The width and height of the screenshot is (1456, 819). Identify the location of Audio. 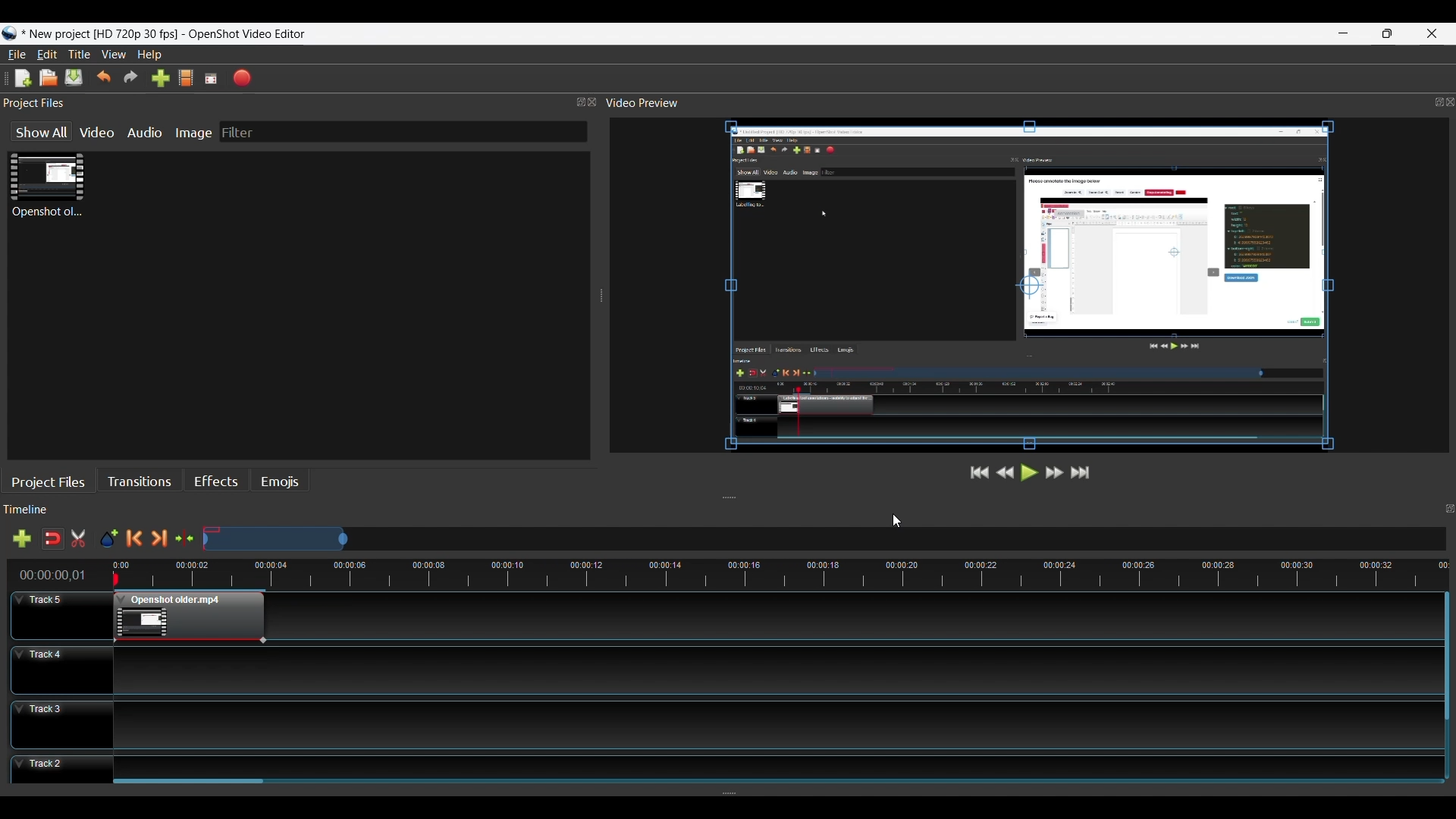
(143, 134).